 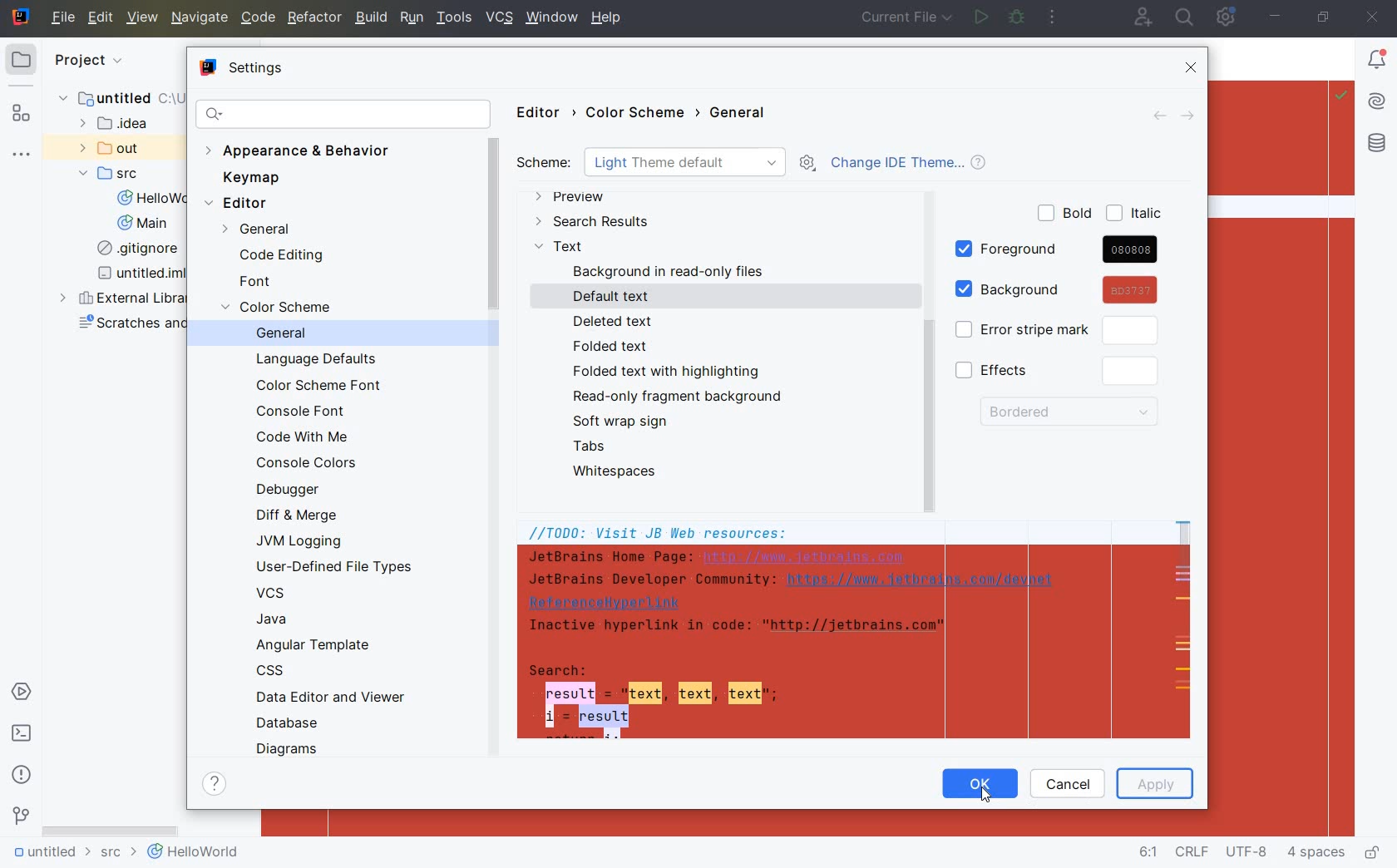 What do you see at coordinates (143, 225) in the screenshot?
I see `Main` at bounding box center [143, 225].